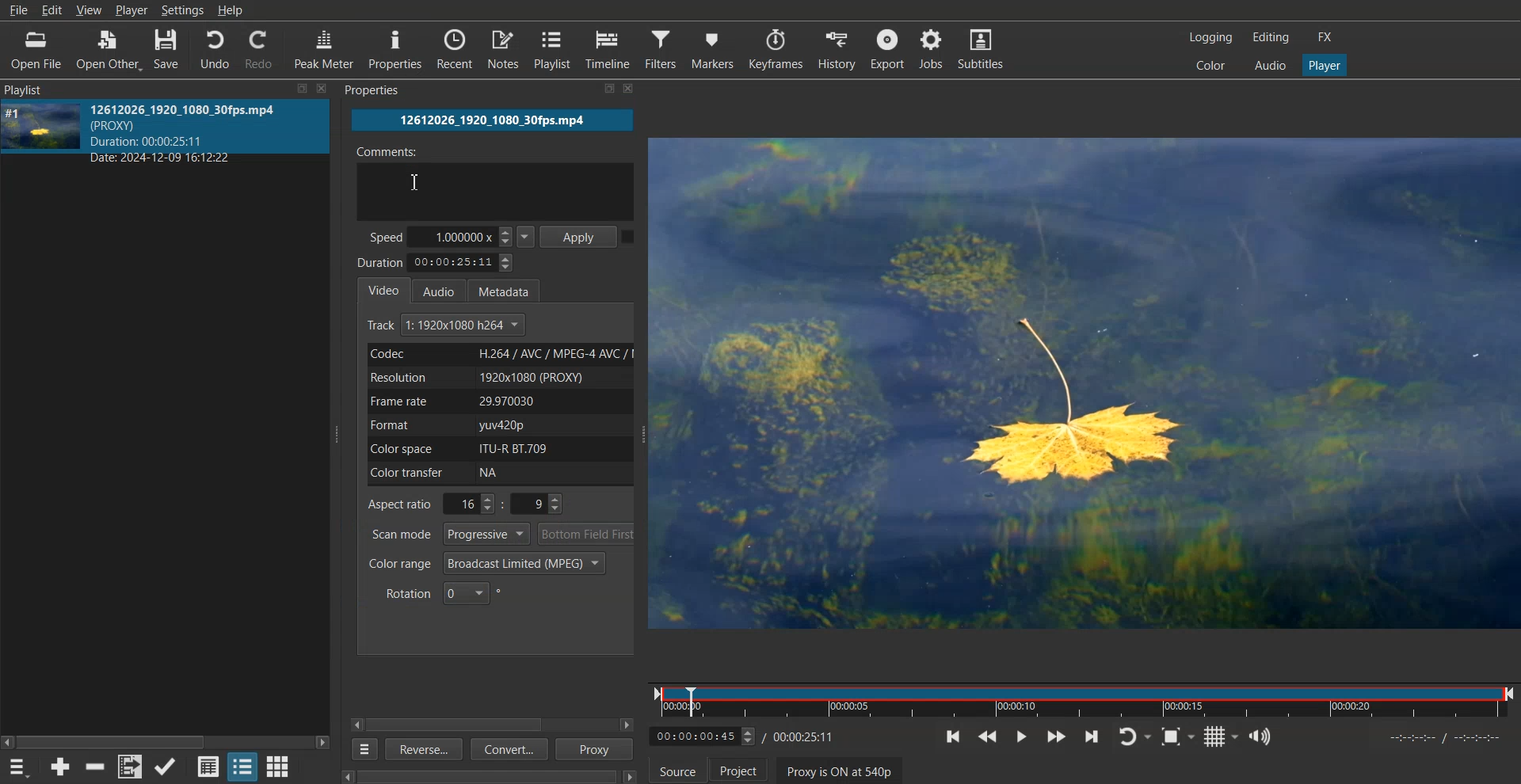 The height and width of the screenshot is (784, 1521). I want to click on Audio, so click(1268, 65).